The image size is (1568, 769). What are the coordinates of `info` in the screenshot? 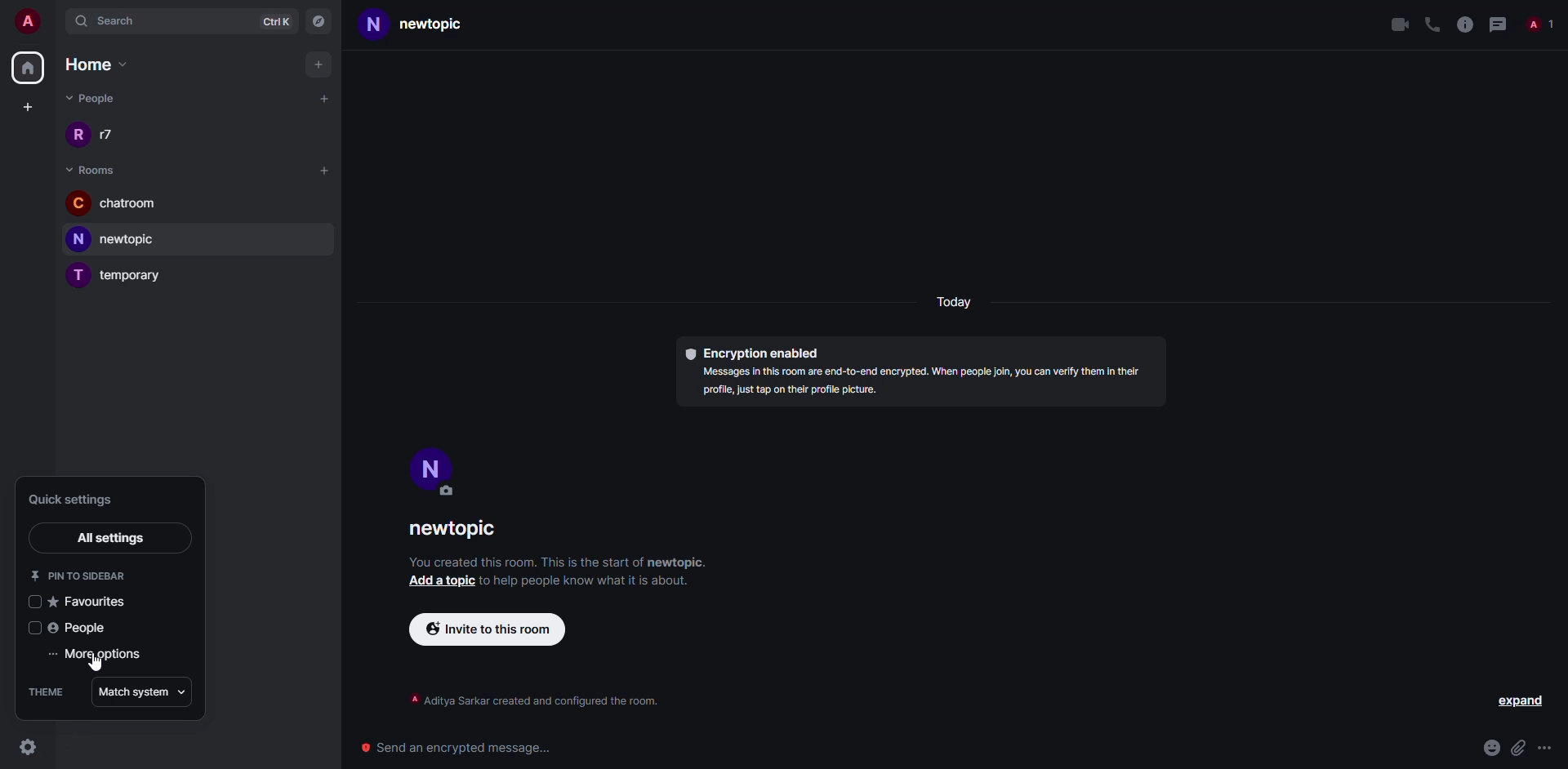 It's located at (920, 380).